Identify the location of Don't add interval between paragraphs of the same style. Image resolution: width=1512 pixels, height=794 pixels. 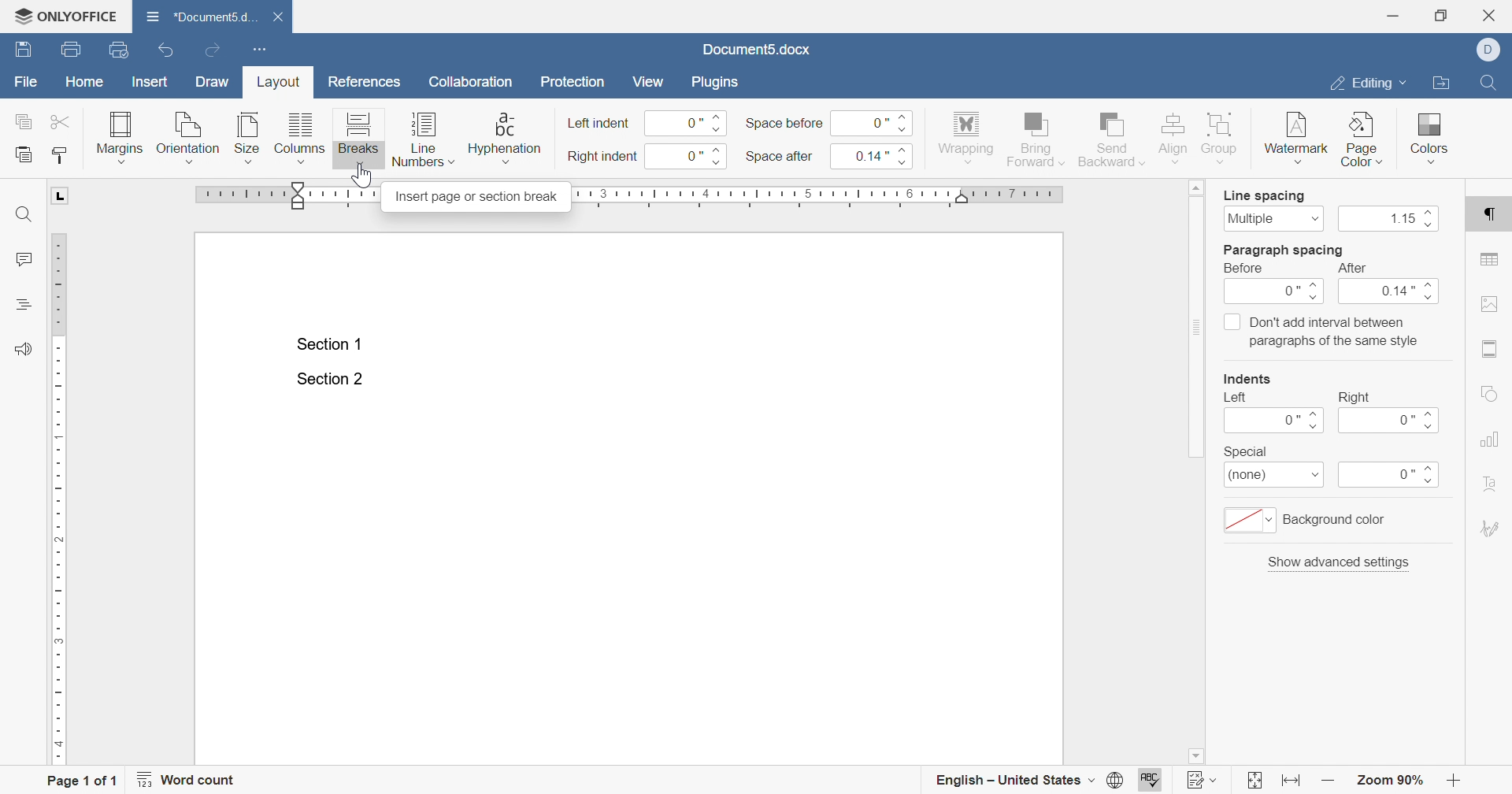
(1321, 331).